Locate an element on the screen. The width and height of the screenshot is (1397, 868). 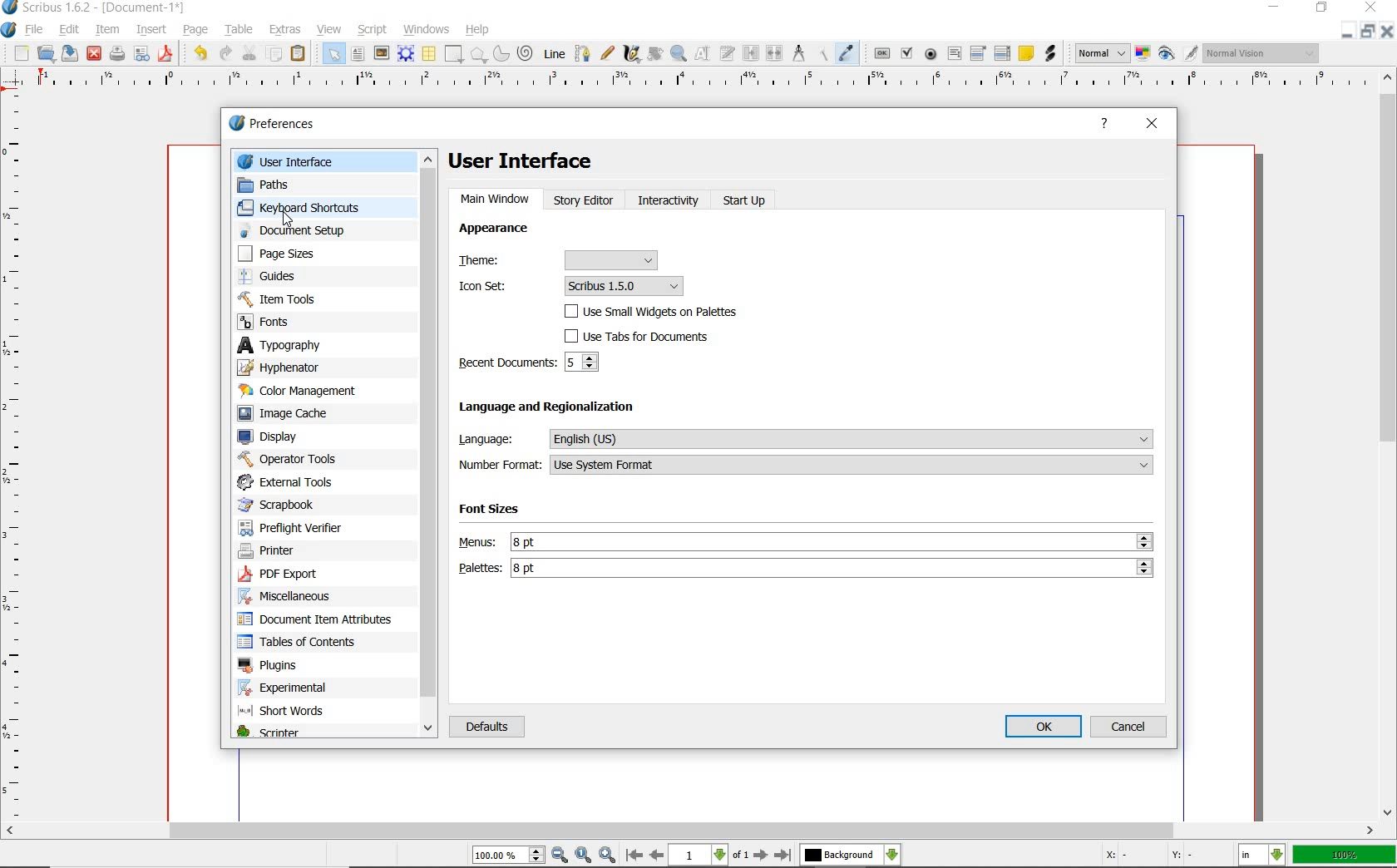
preferences is located at coordinates (277, 124).